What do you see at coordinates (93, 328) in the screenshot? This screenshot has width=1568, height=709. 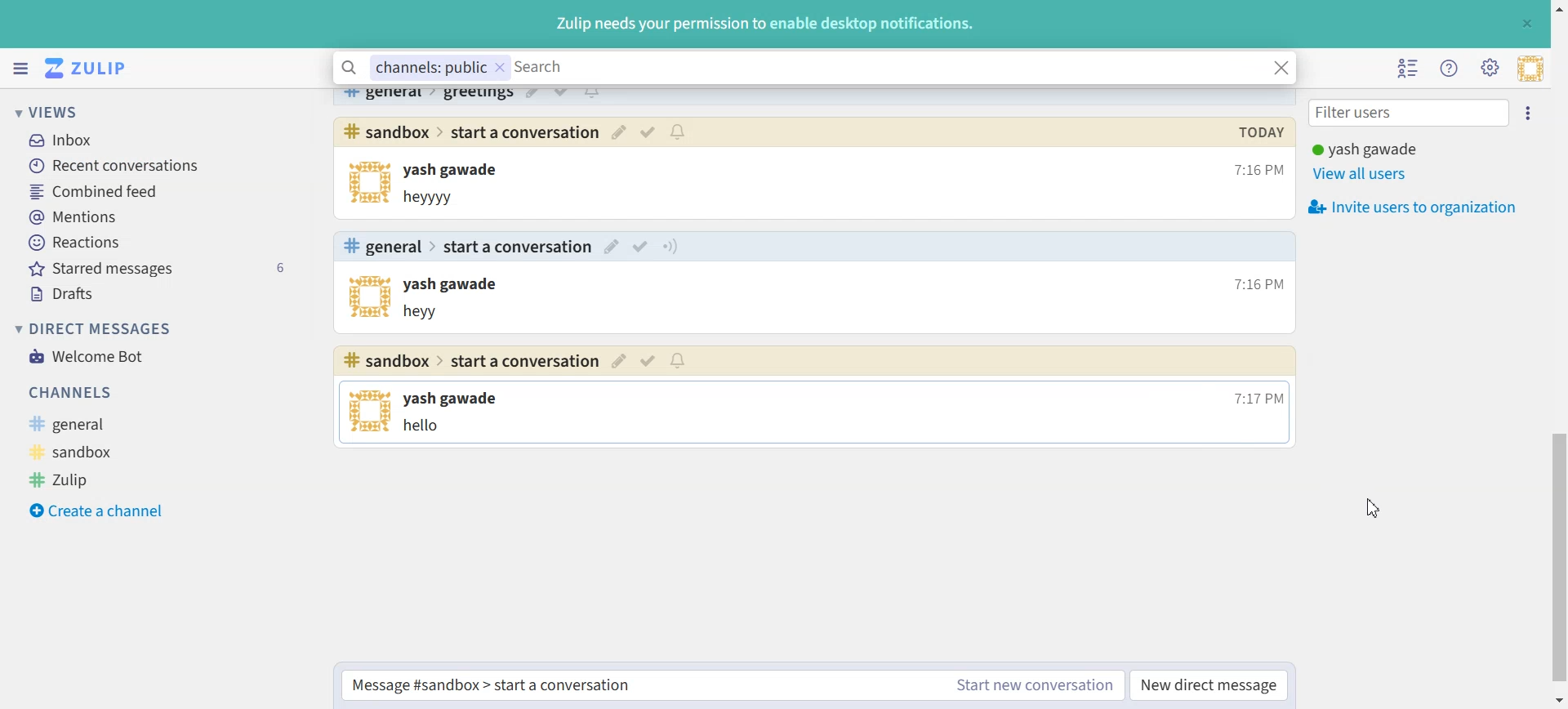 I see `Direct Messages` at bounding box center [93, 328].